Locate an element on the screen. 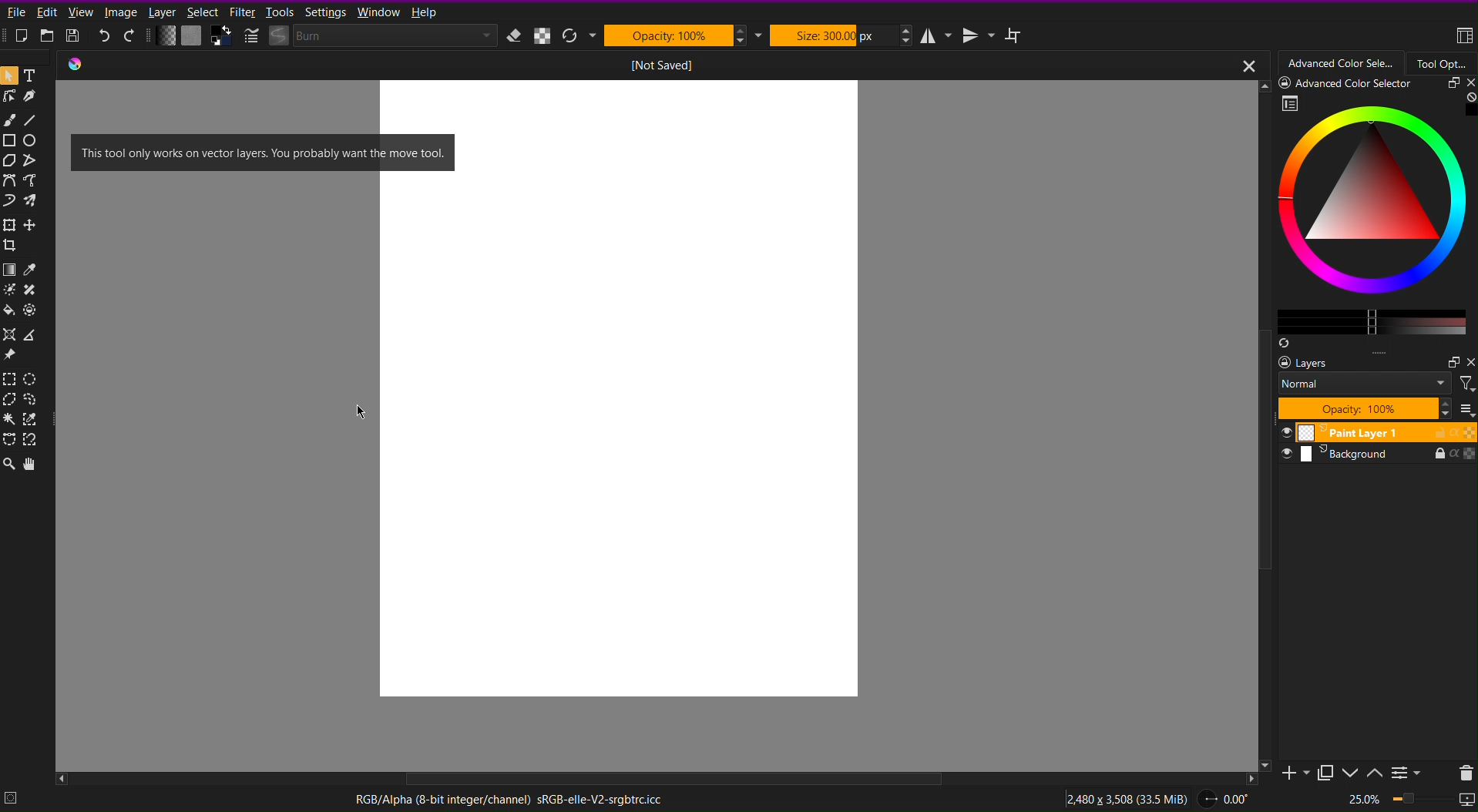 The width and height of the screenshot is (1478, 812). Opacity is located at coordinates (676, 35).